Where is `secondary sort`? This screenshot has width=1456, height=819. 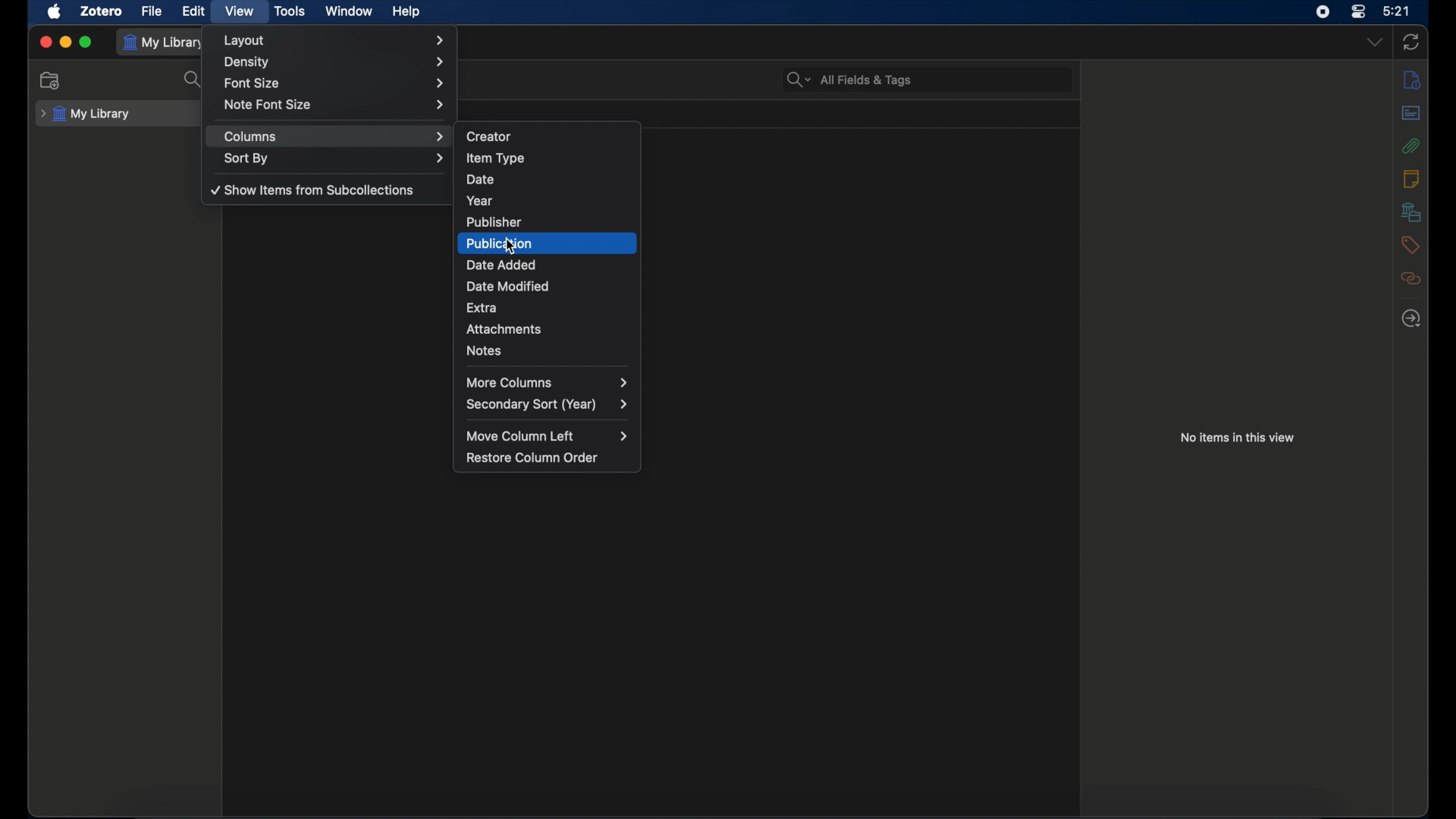 secondary sort is located at coordinates (548, 405).